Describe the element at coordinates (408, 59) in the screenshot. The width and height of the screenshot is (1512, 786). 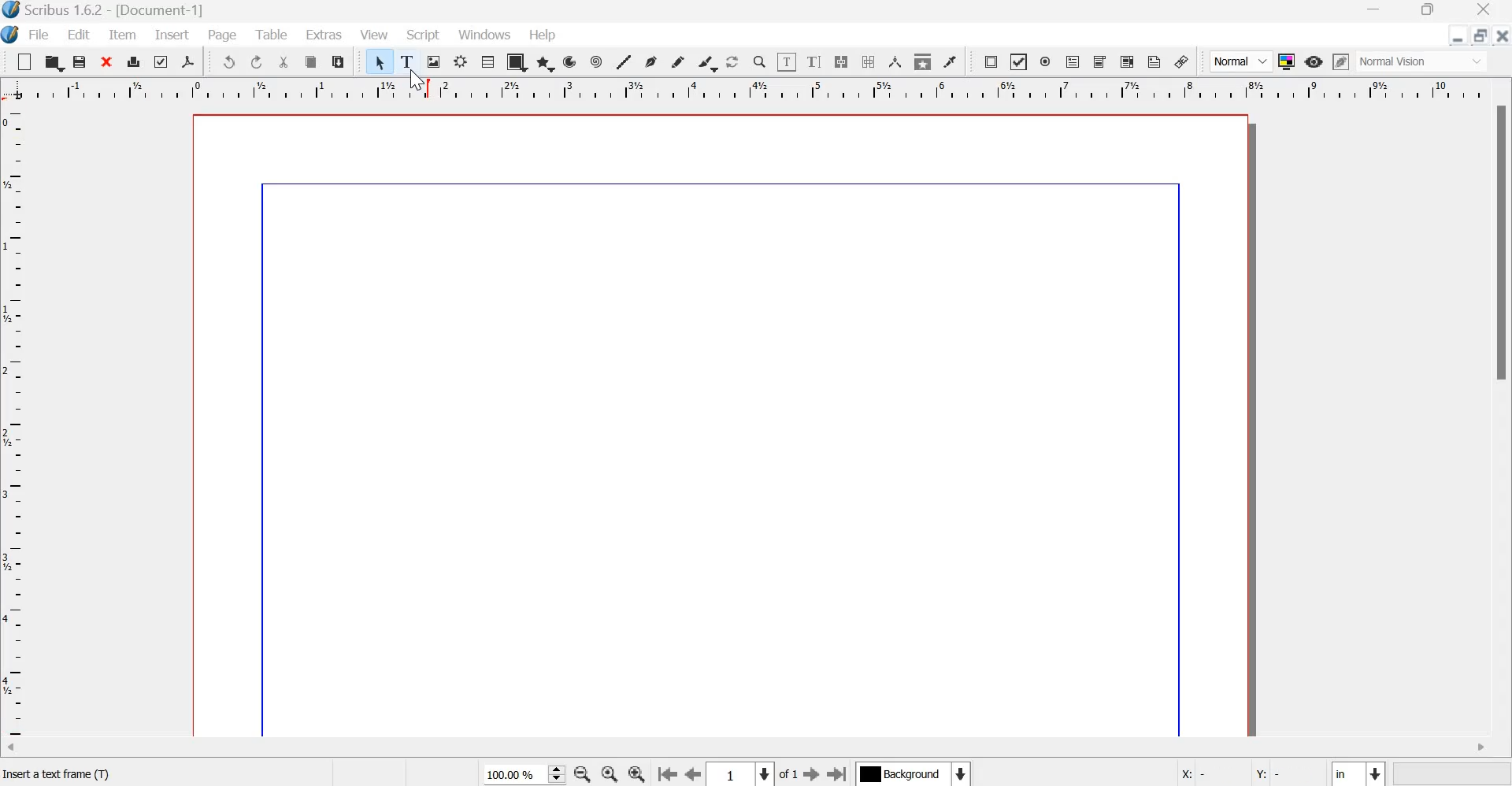
I see `text frame` at that location.